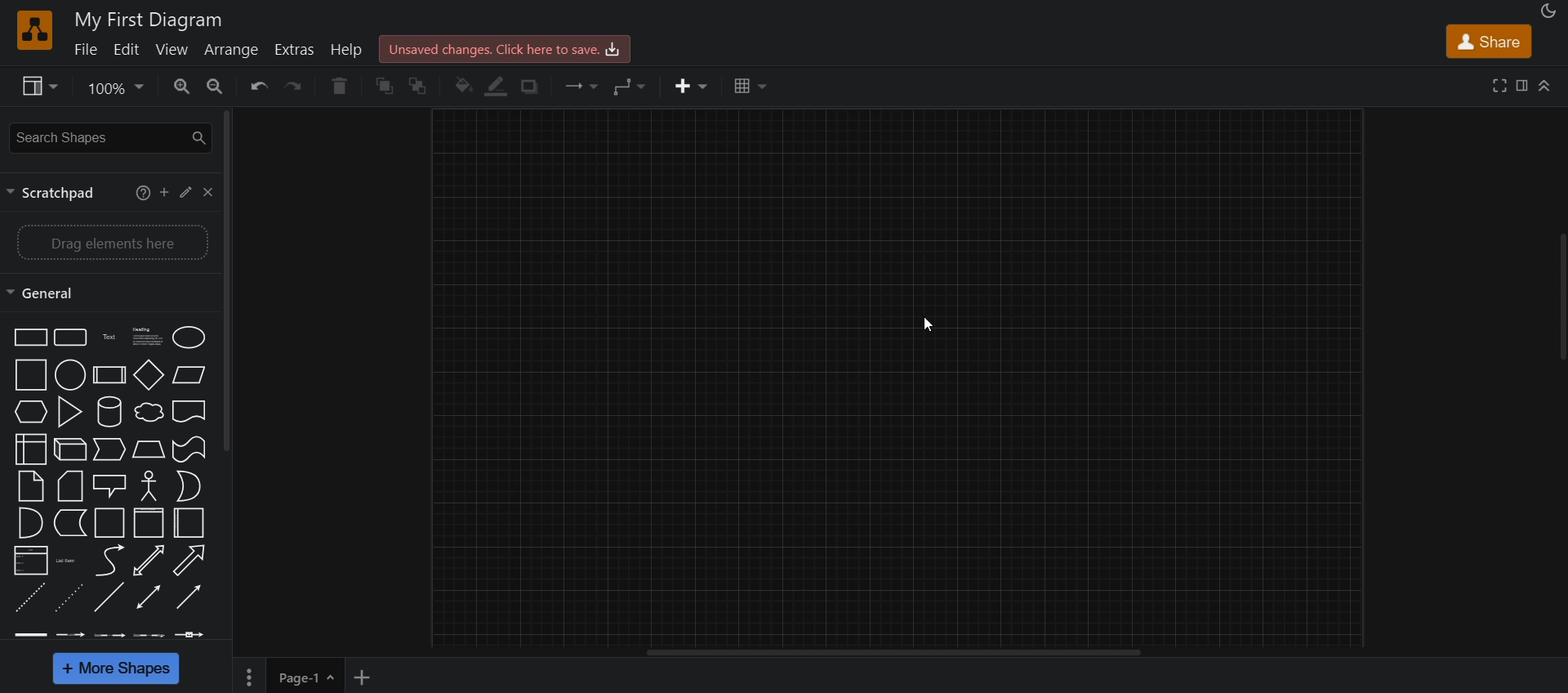 The width and height of the screenshot is (1568, 693). What do you see at coordinates (50, 292) in the screenshot?
I see `general` at bounding box center [50, 292].